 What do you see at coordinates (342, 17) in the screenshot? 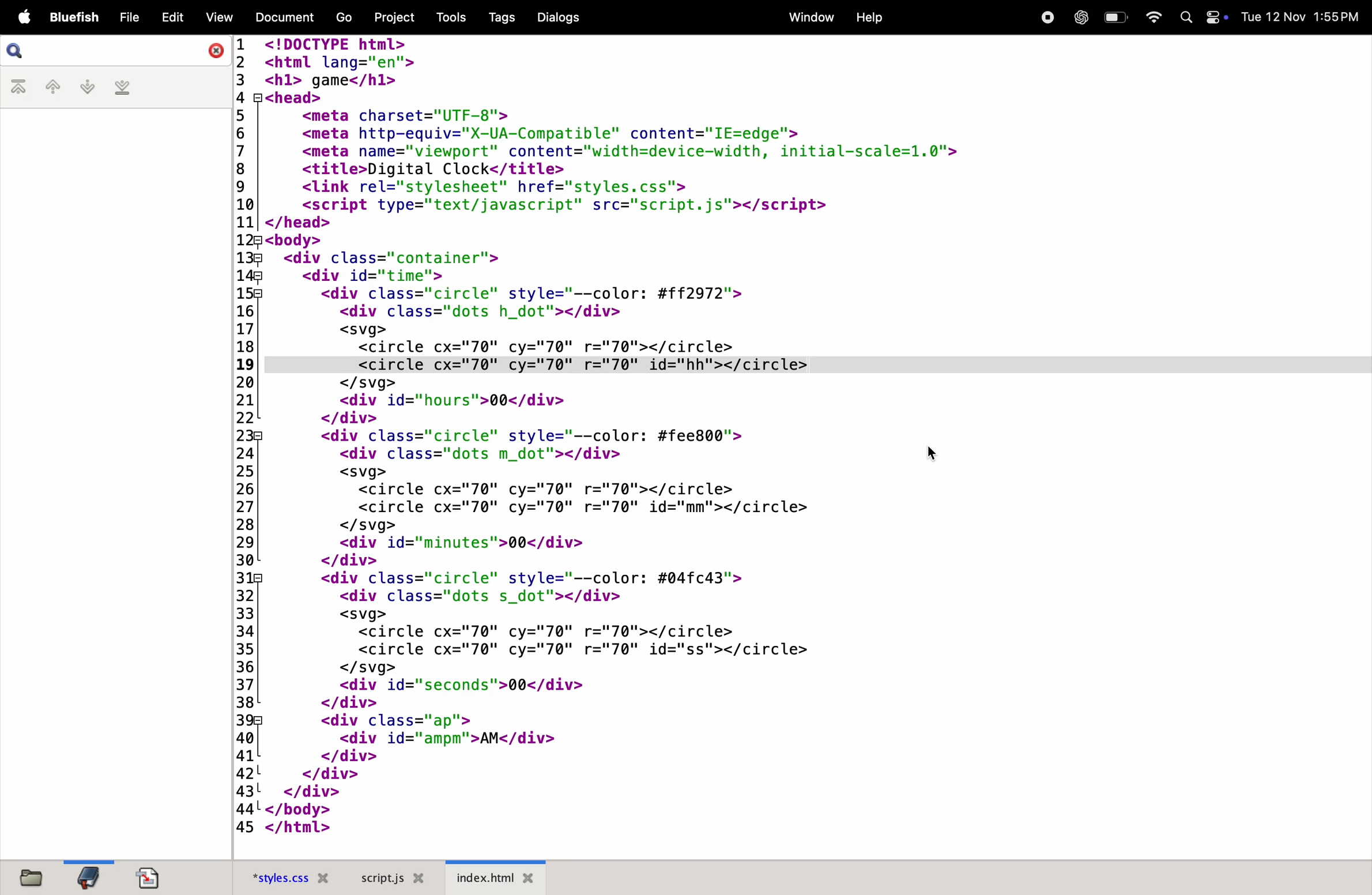
I see `go` at bounding box center [342, 17].